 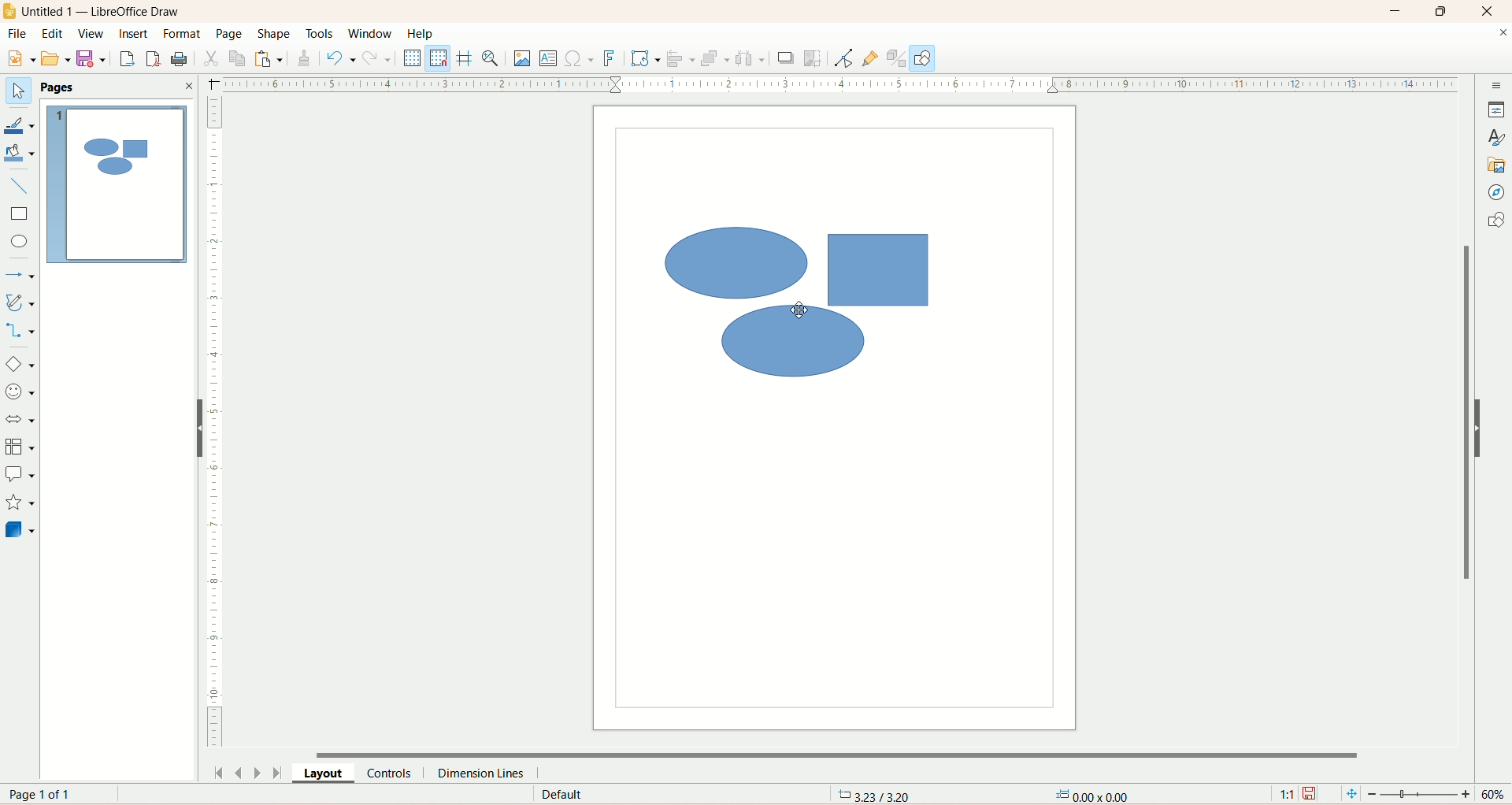 What do you see at coordinates (54, 35) in the screenshot?
I see `edit` at bounding box center [54, 35].